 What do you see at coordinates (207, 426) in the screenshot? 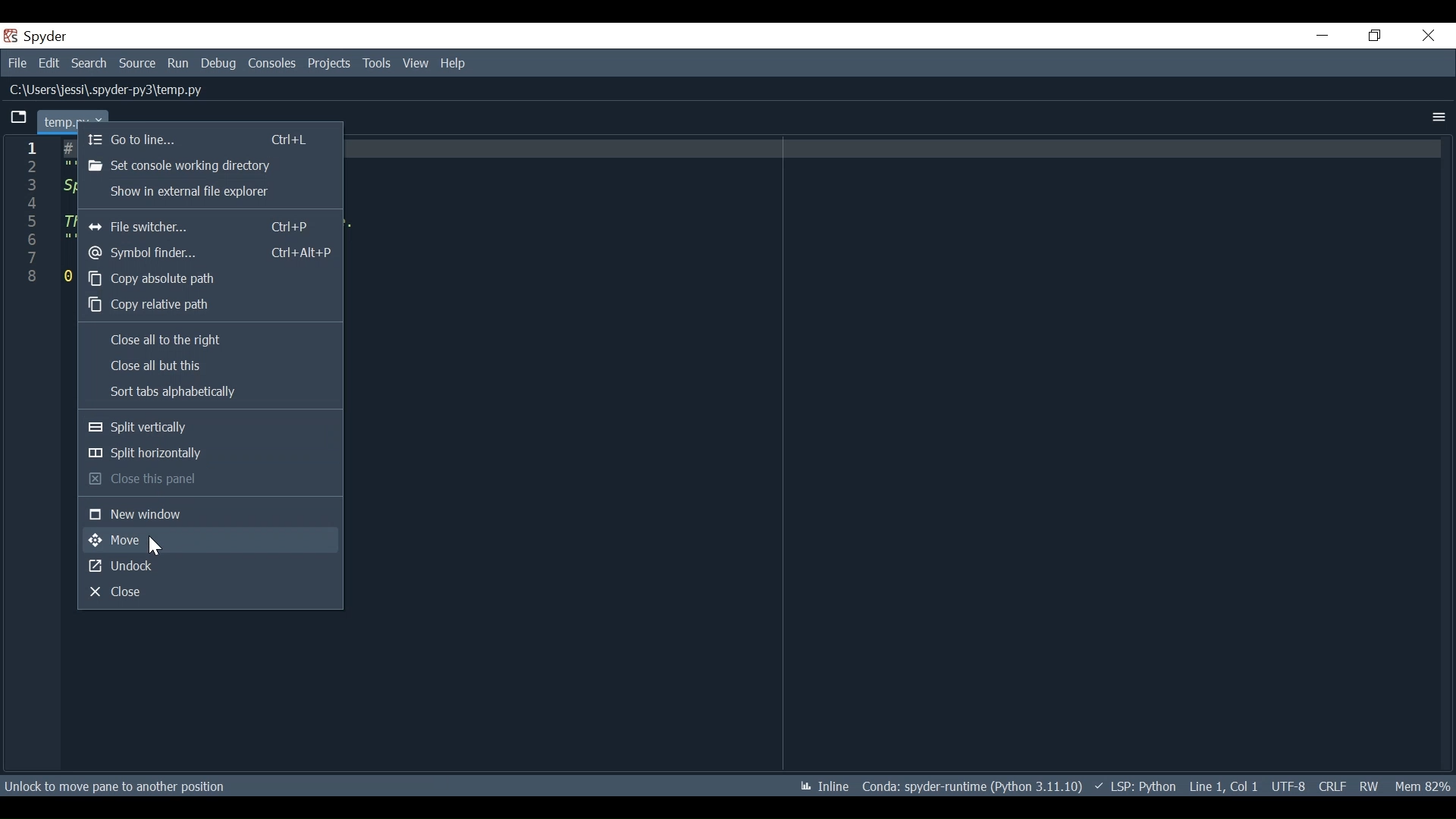
I see `Split vertically` at bounding box center [207, 426].